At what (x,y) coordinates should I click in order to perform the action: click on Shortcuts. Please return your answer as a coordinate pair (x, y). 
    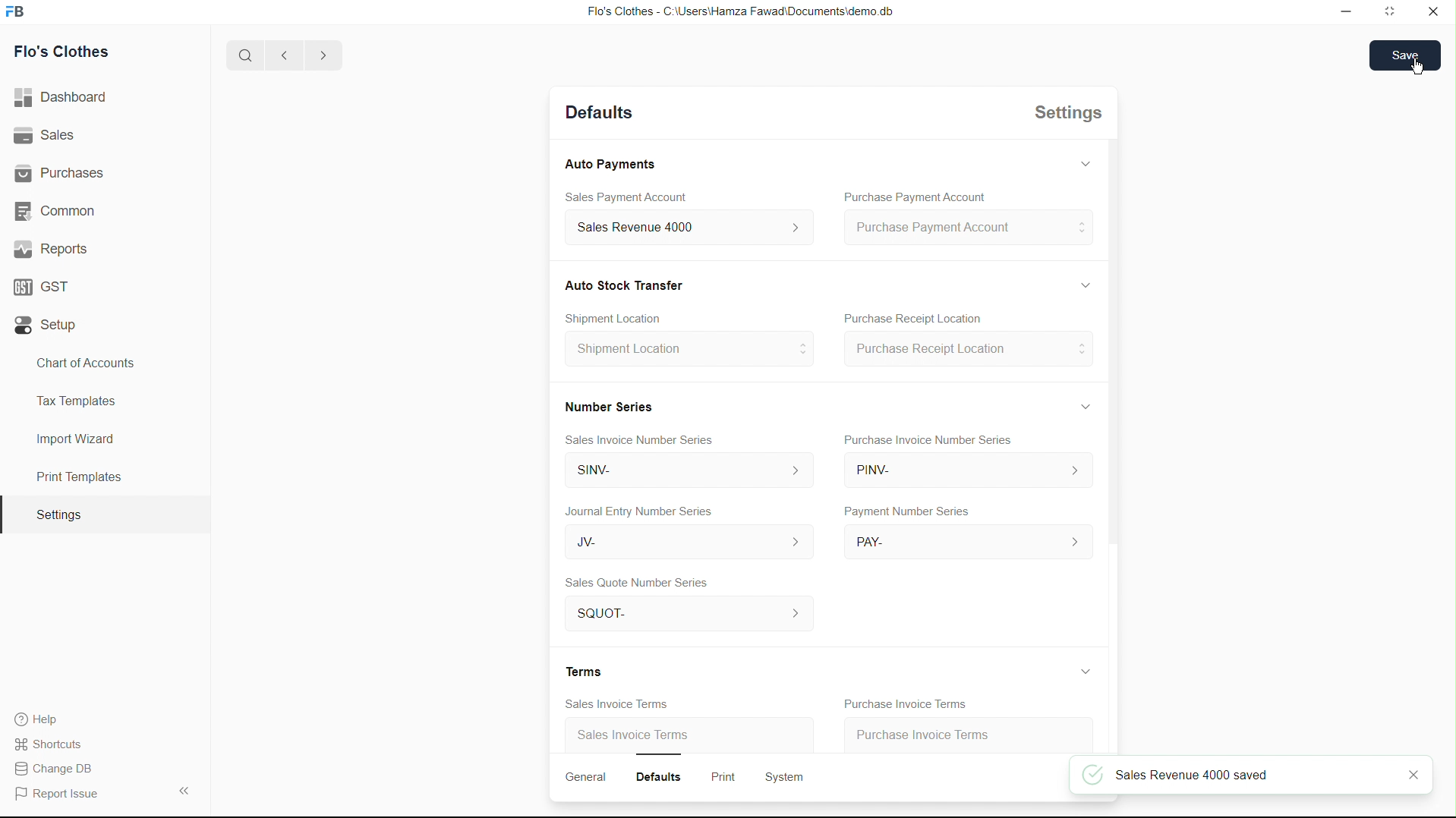
    Looking at the image, I should click on (57, 743).